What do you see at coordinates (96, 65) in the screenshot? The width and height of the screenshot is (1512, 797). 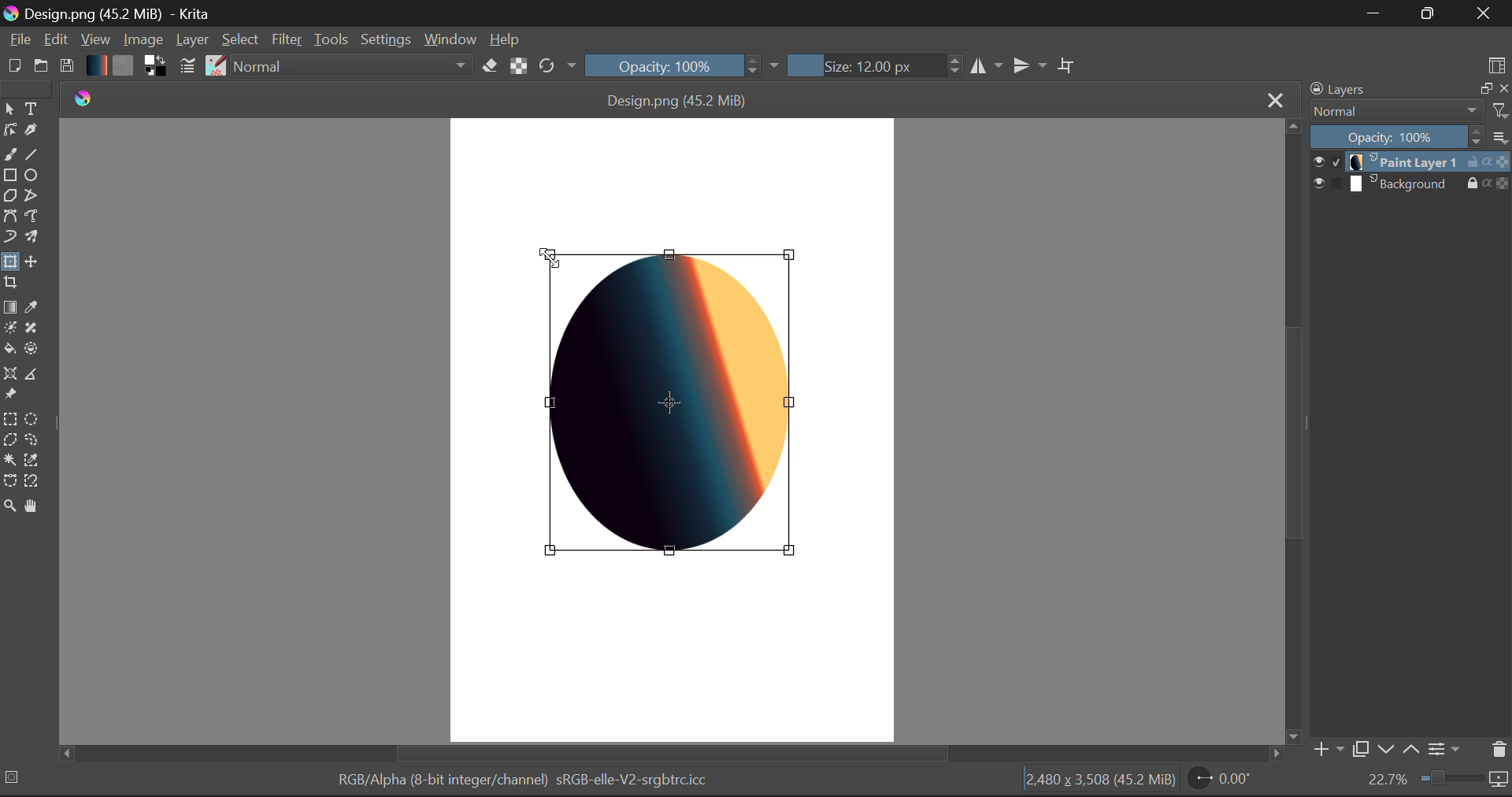 I see `Gradient` at bounding box center [96, 65].